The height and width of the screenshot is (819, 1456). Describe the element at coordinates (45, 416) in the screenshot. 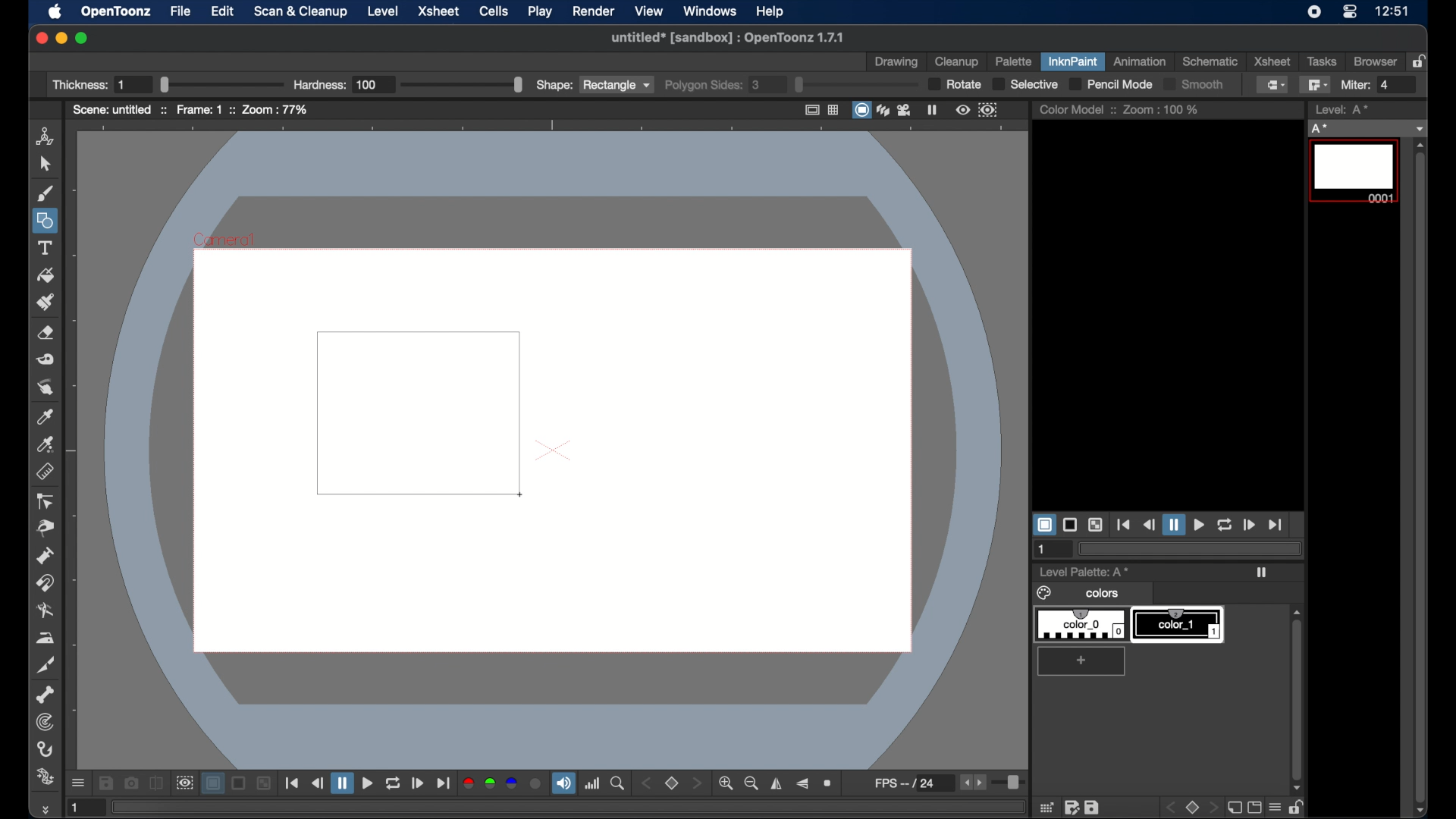

I see `picker tool` at that location.